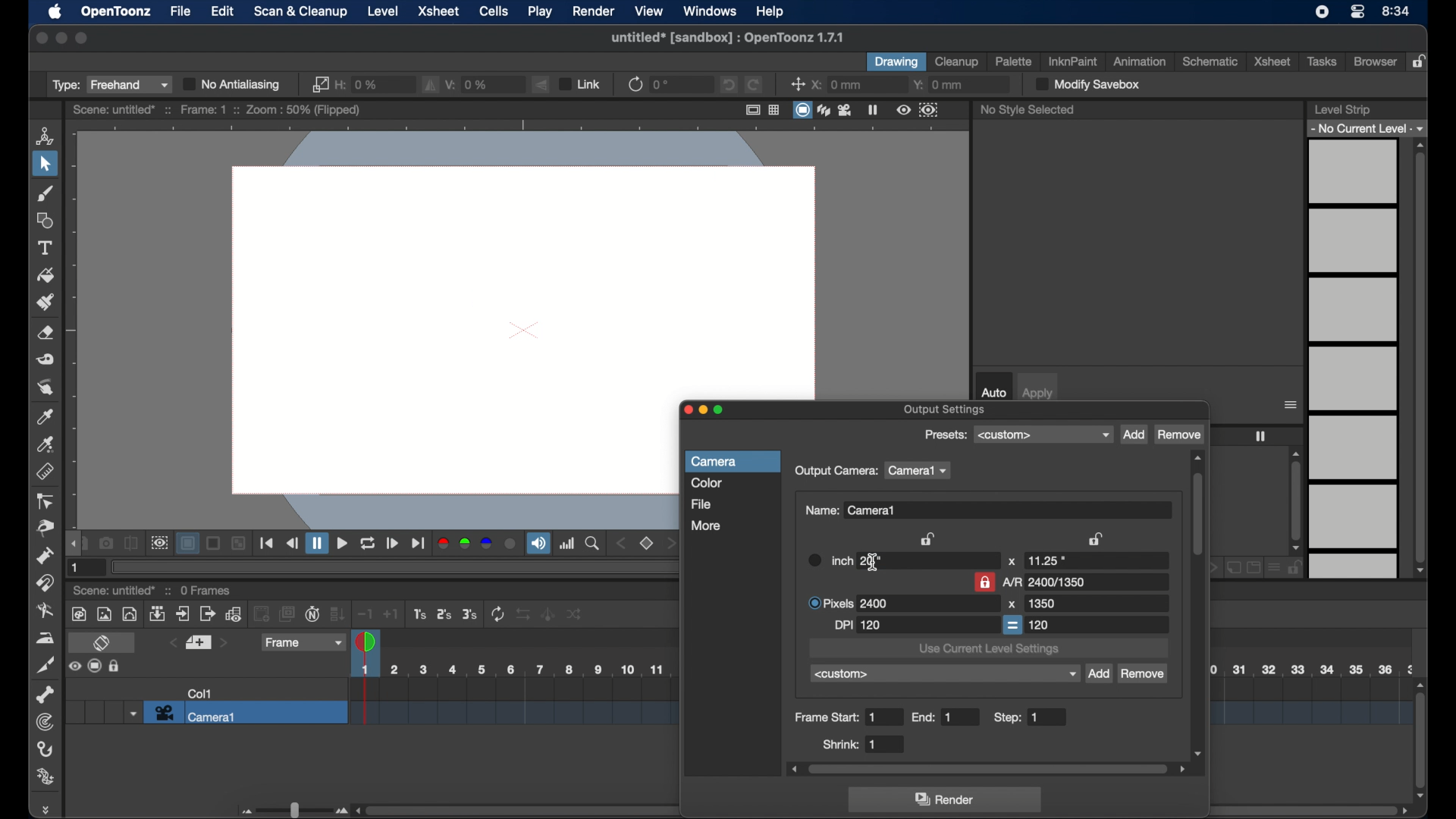 The height and width of the screenshot is (819, 1456). I want to click on , so click(170, 591).